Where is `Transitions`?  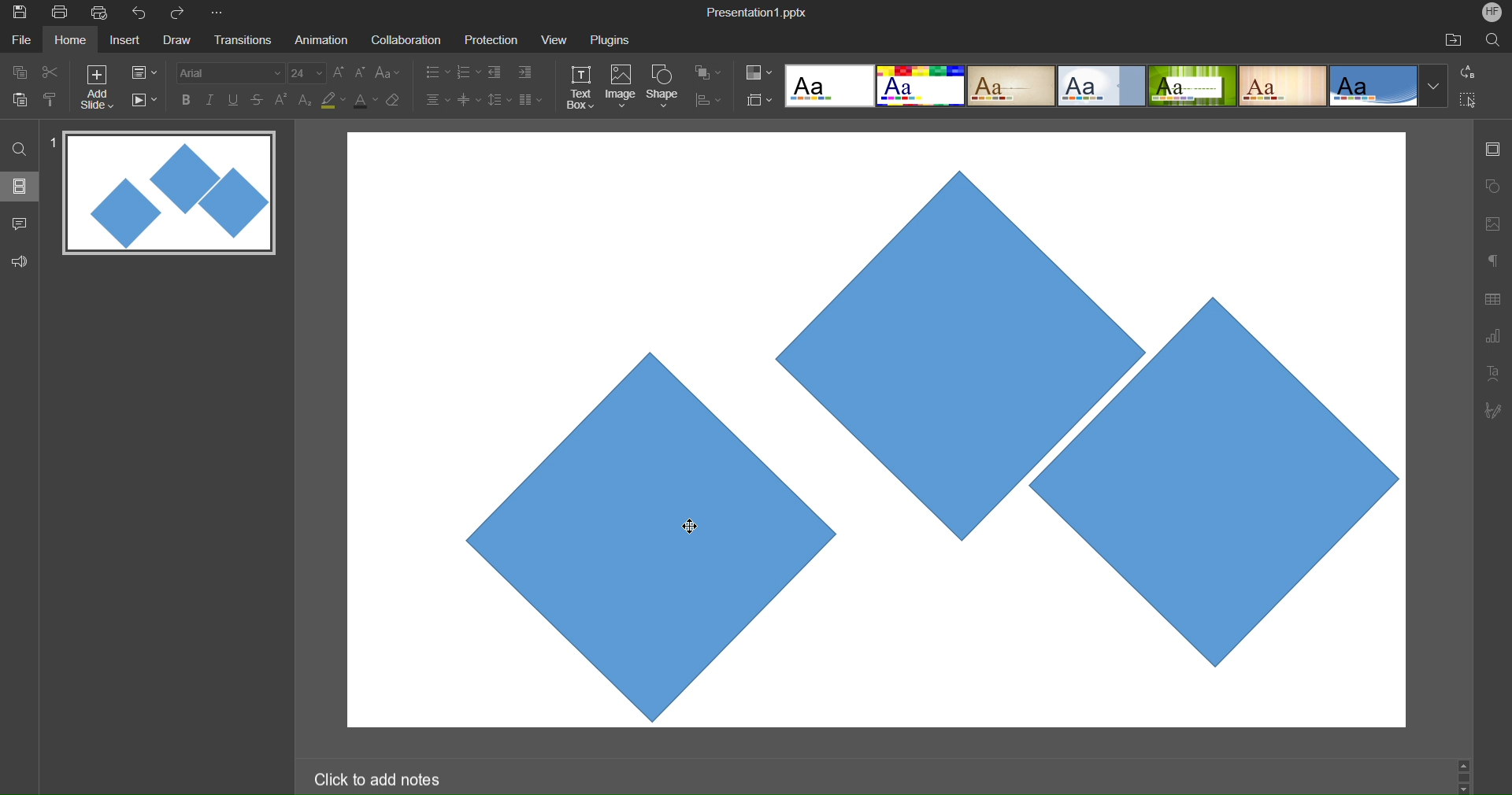
Transitions is located at coordinates (241, 41).